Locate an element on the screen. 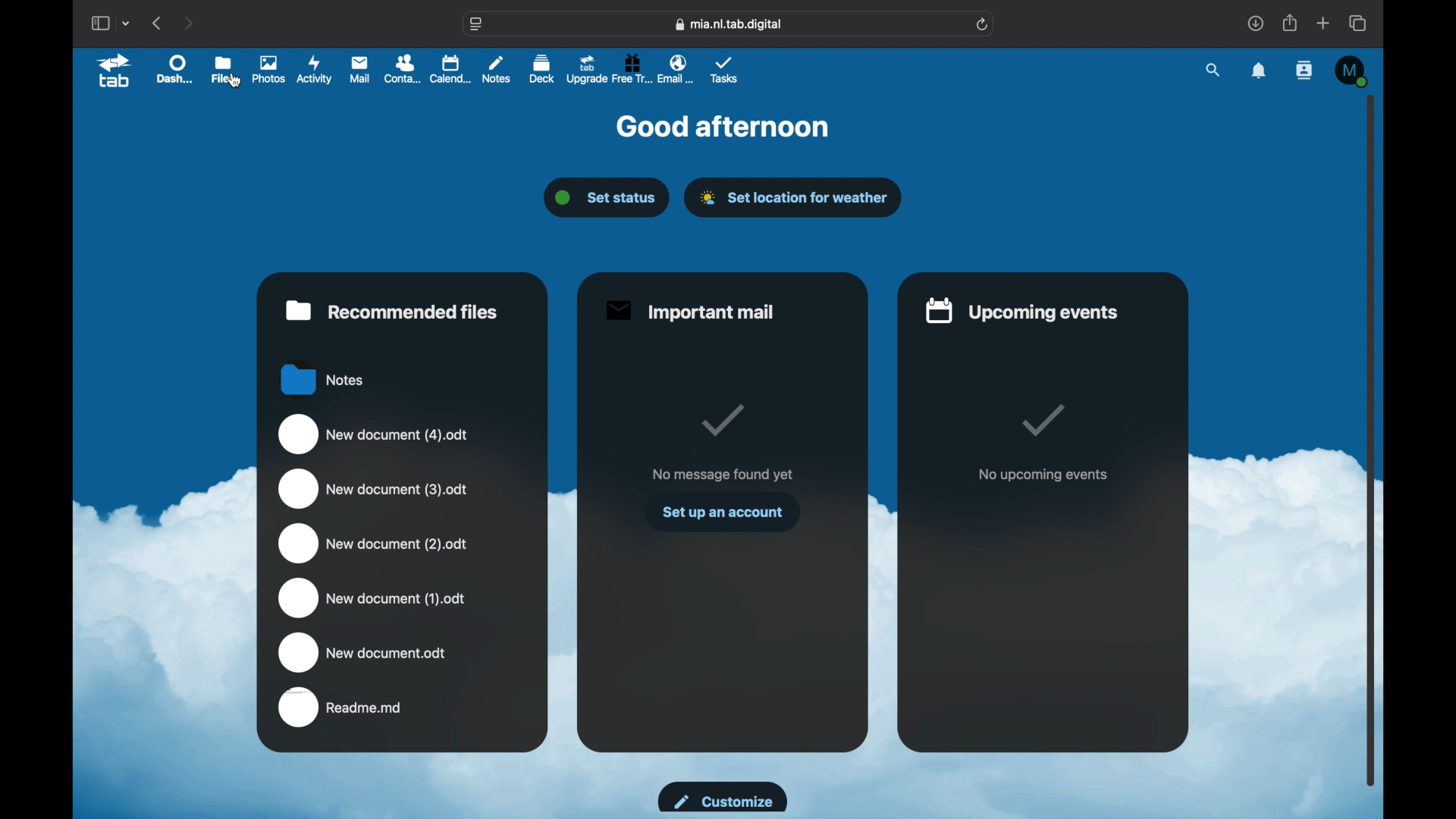 The width and height of the screenshot is (1456, 819). good afternoon is located at coordinates (722, 126).